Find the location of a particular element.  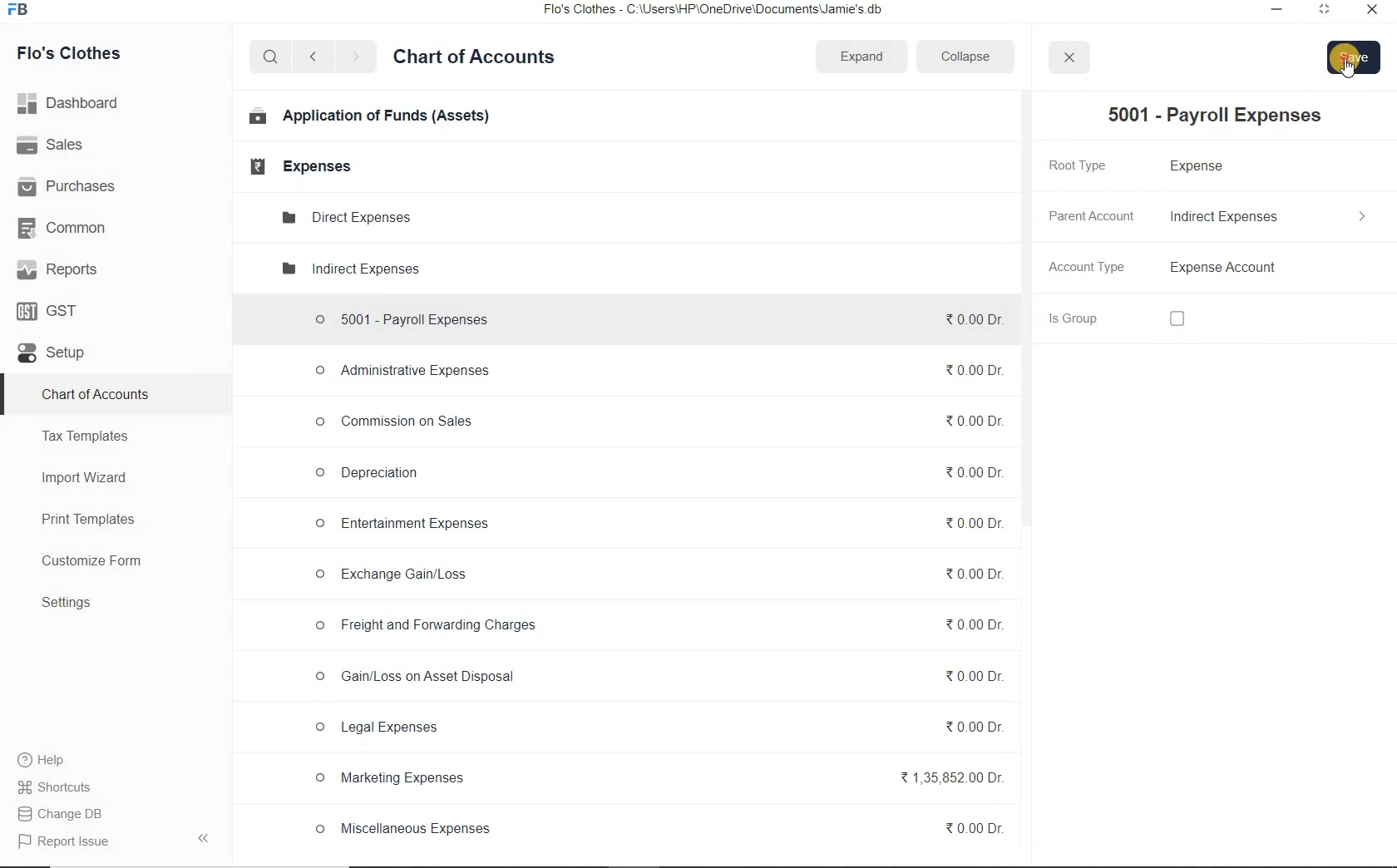

Application of Funds (Assets) is located at coordinates (370, 117).